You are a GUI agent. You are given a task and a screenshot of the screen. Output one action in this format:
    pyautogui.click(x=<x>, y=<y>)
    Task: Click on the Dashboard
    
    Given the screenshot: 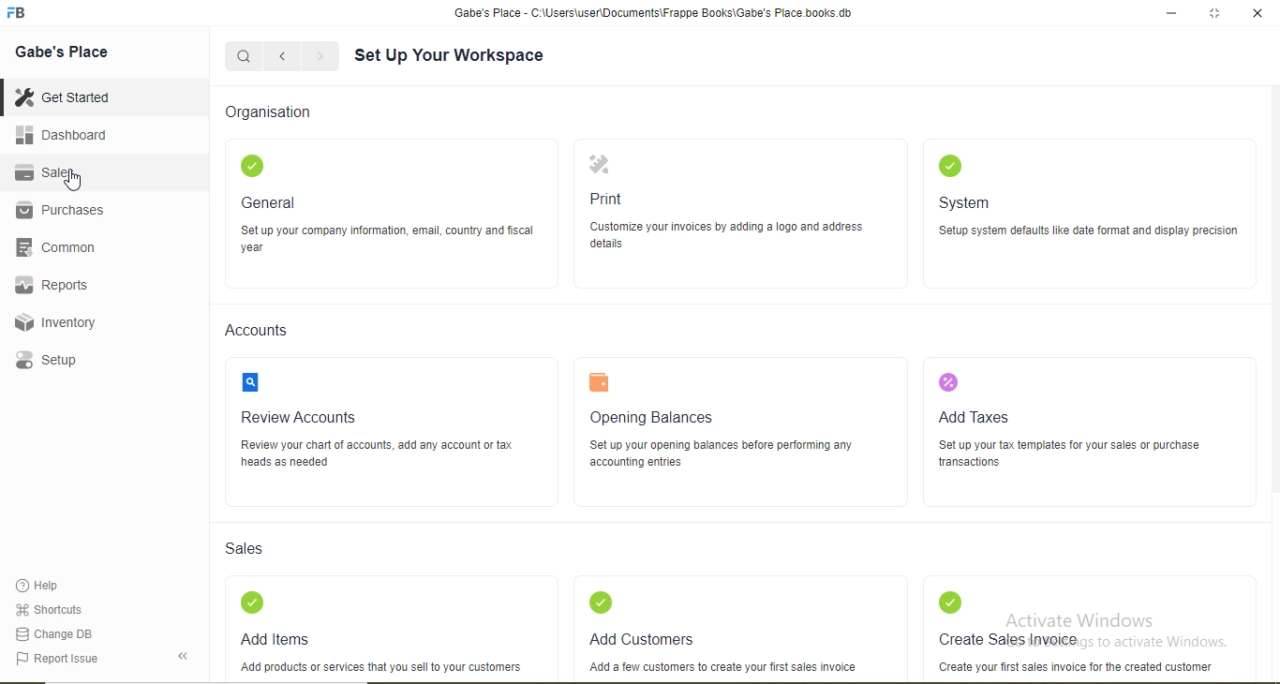 What is the action you would take?
    pyautogui.click(x=72, y=137)
    